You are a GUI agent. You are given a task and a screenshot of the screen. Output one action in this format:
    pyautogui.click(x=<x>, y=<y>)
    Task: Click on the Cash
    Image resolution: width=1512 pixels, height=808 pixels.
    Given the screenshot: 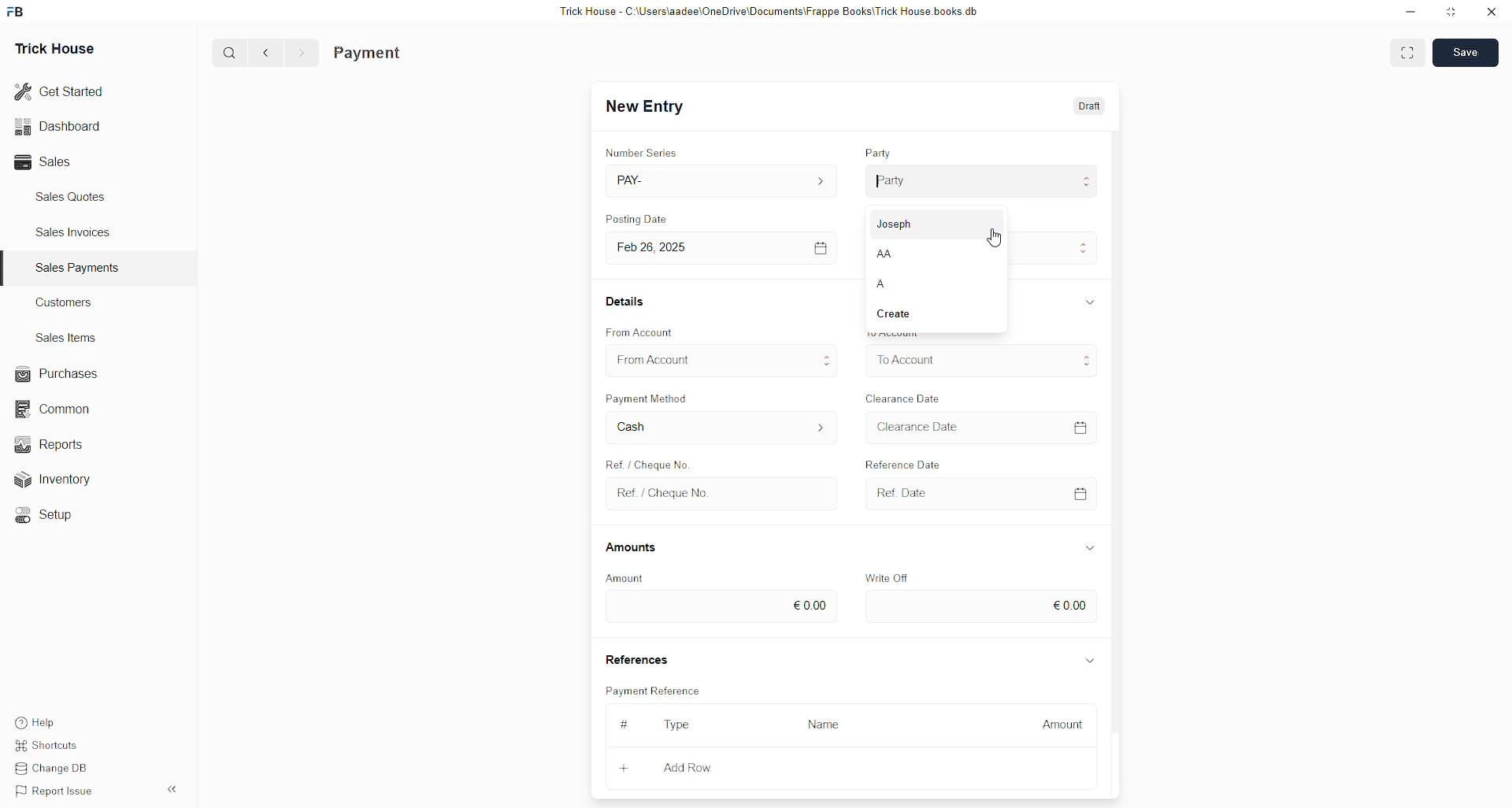 What is the action you would take?
    pyautogui.click(x=722, y=428)
    